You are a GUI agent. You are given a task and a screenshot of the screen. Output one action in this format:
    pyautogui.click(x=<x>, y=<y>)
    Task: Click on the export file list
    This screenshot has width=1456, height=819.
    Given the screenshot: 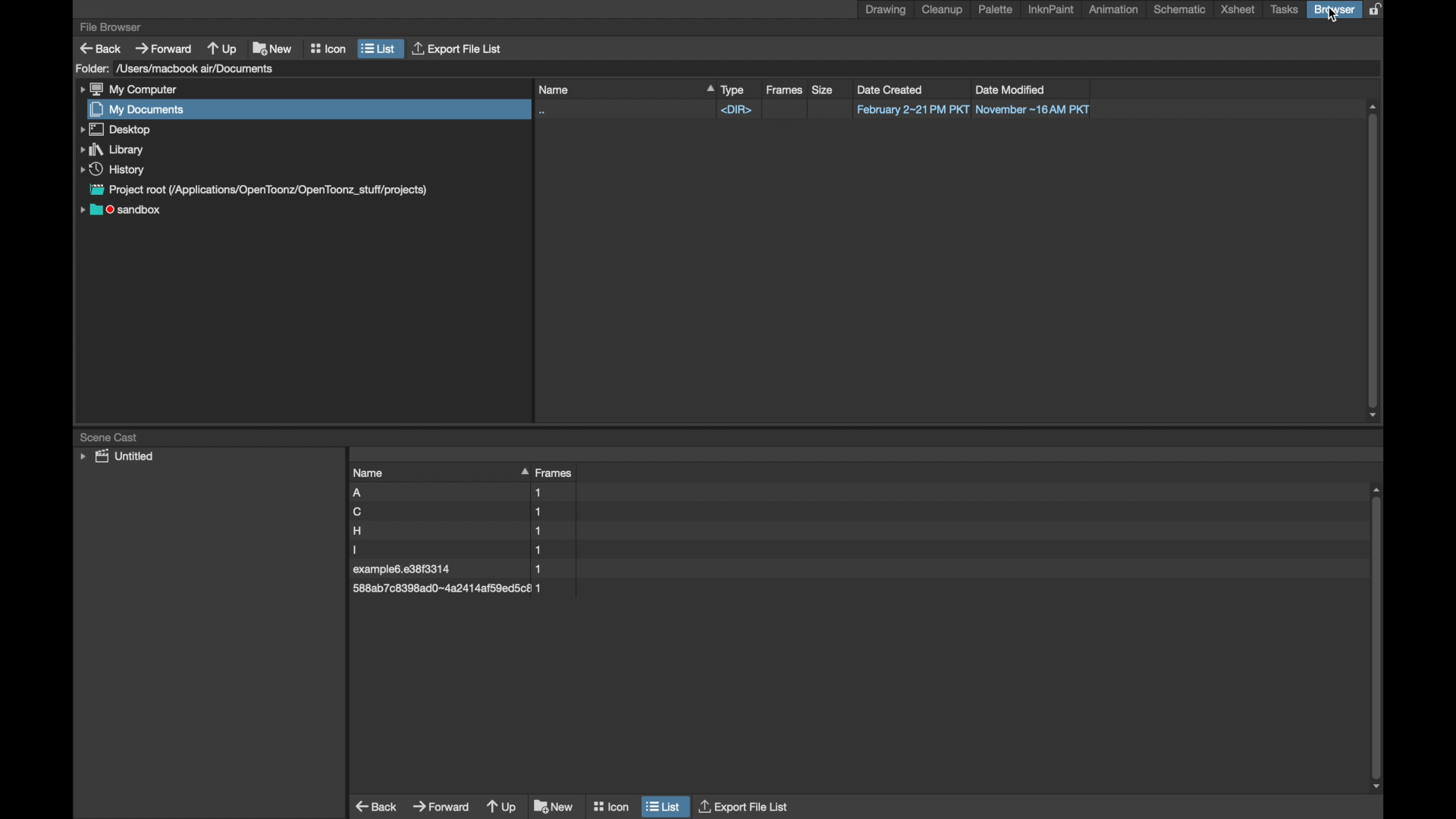 What is the action you would take?
    pyautogui.click(x=460, y=49)
    